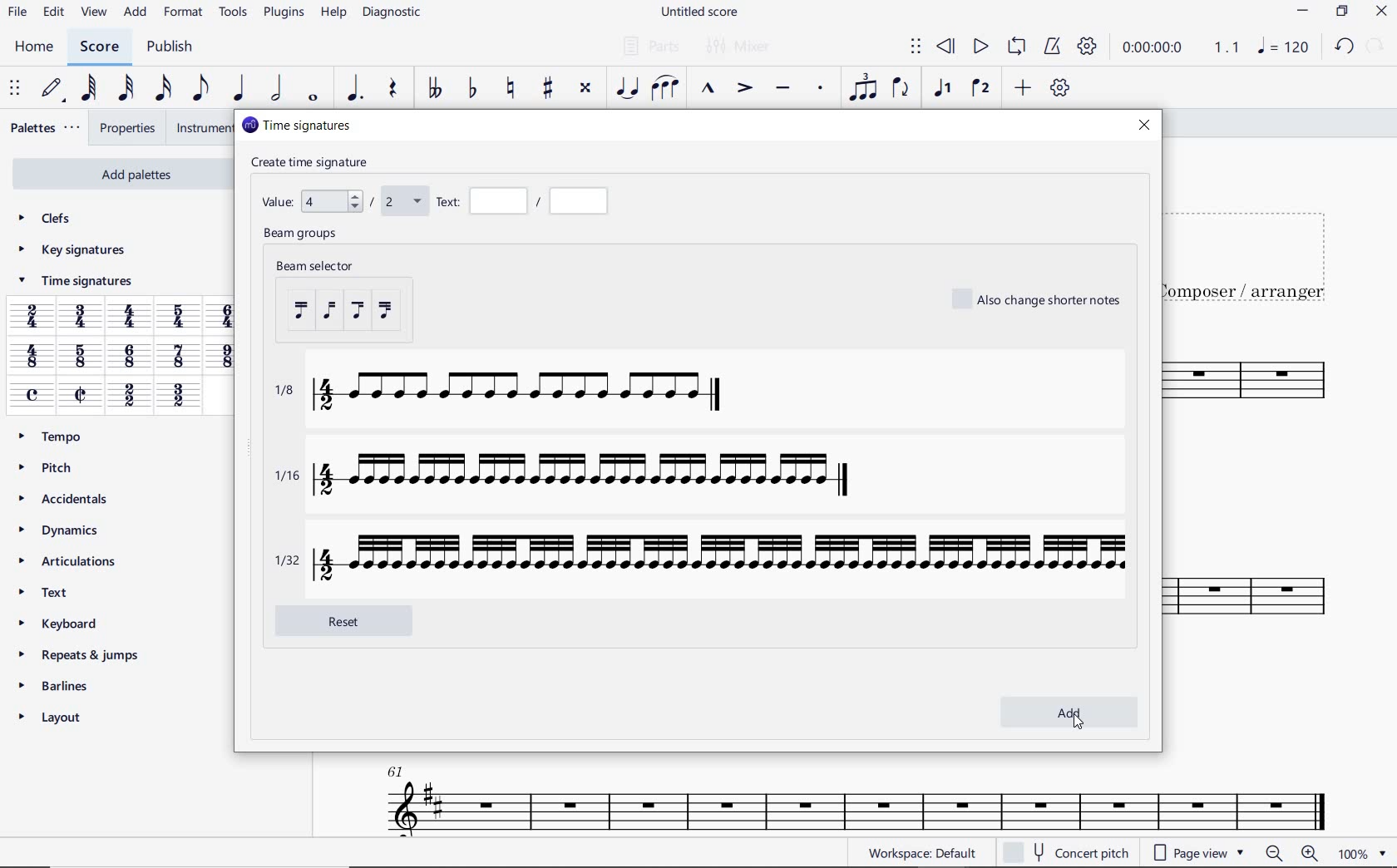 The width and height of the screenshot is (1397, 868). I want to click on TITLE, so click(1256, 248).